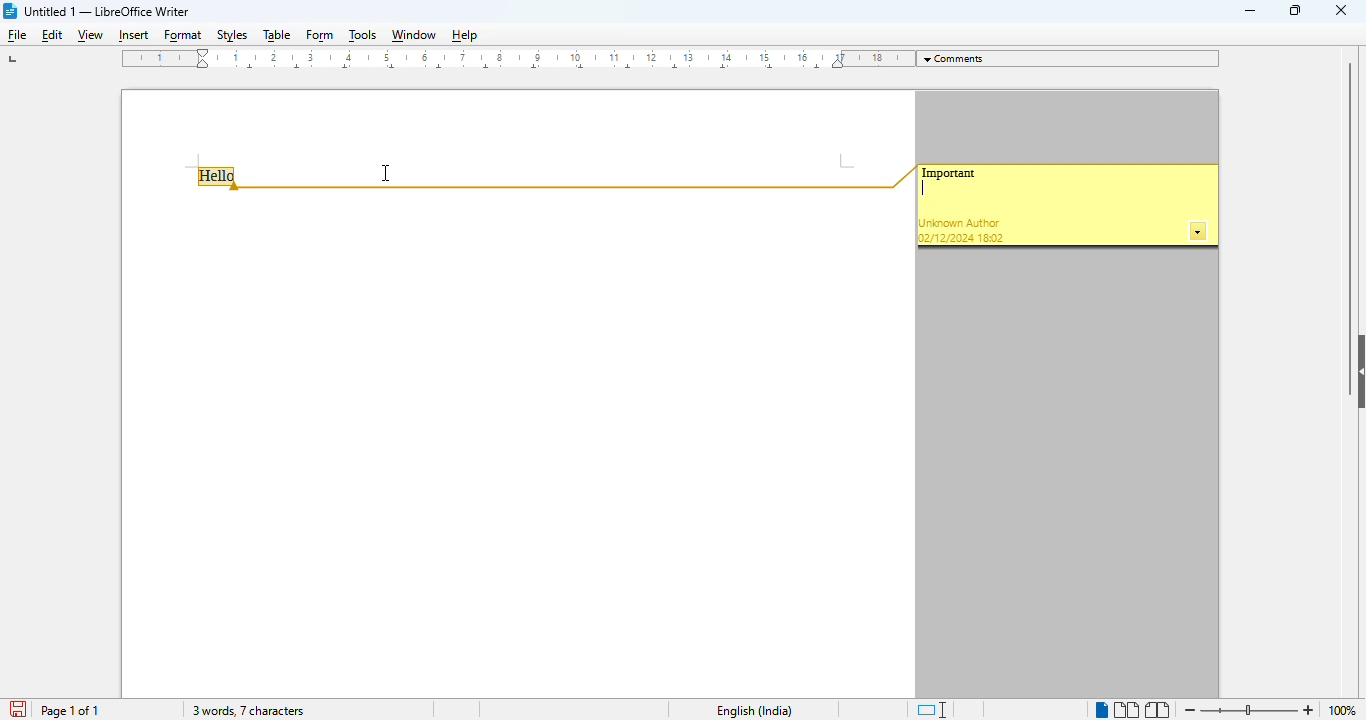 The height and width of the screenshot is (720, 1366). Describe the element at coordinates (992, 238) in the screenshot. I see `18:02` at that location.